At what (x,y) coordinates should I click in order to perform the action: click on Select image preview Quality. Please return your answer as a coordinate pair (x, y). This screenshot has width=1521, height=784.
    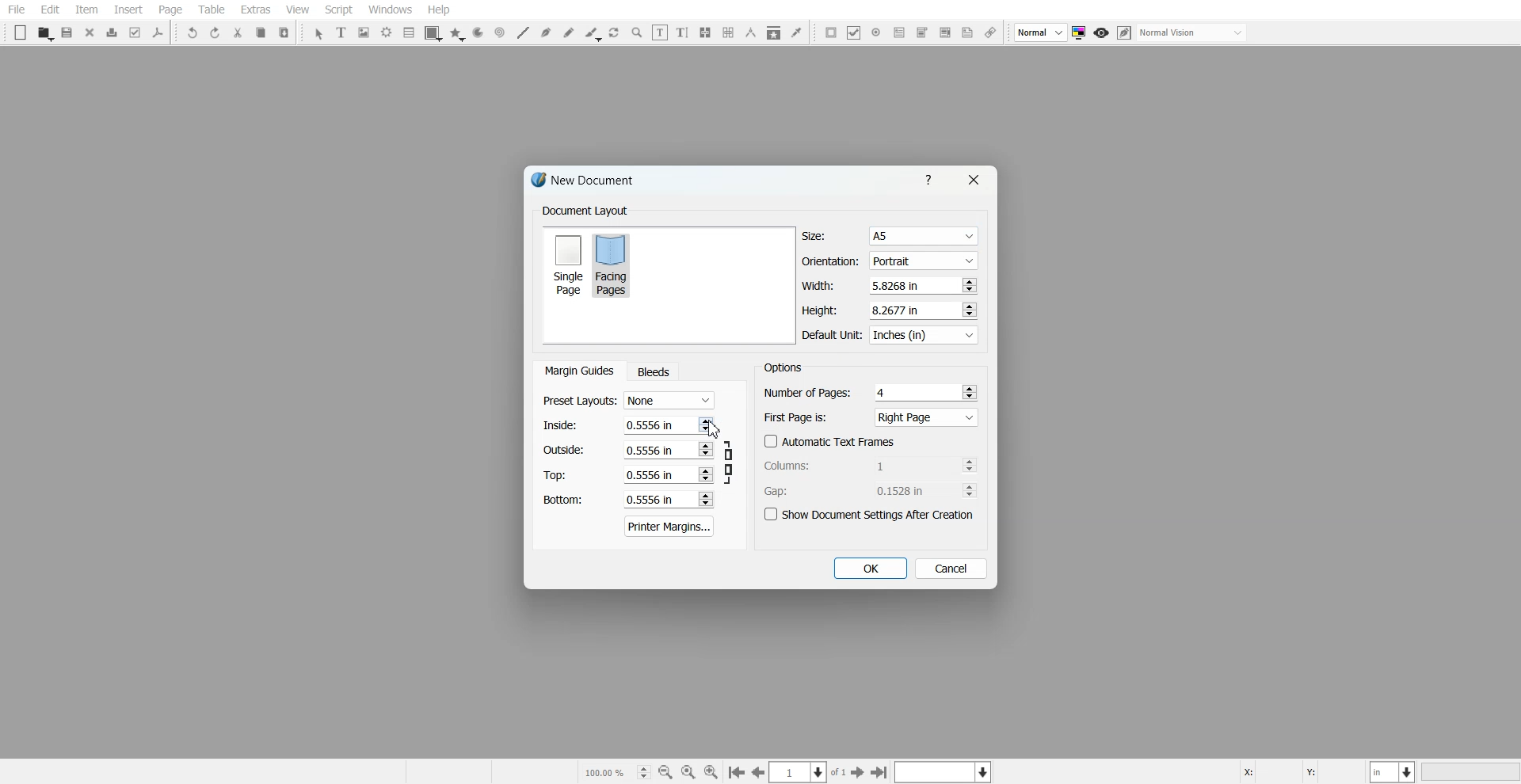
    Looking at the image, I should click on (1041, 32).